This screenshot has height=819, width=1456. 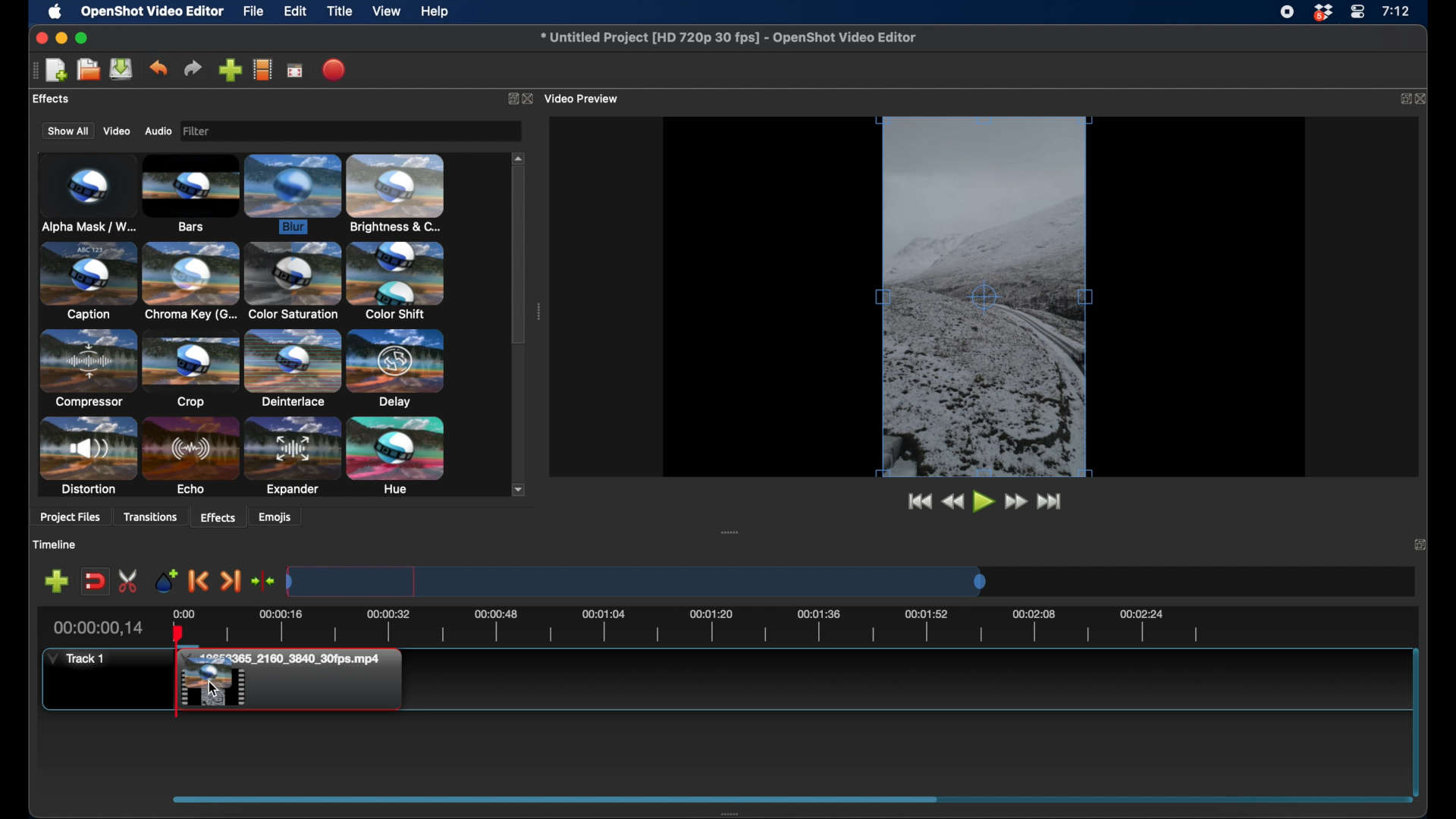 What do you see at coordinates (293, 368) in the screenshot?
I see `deinterlace` at bounding box center [293, 368].